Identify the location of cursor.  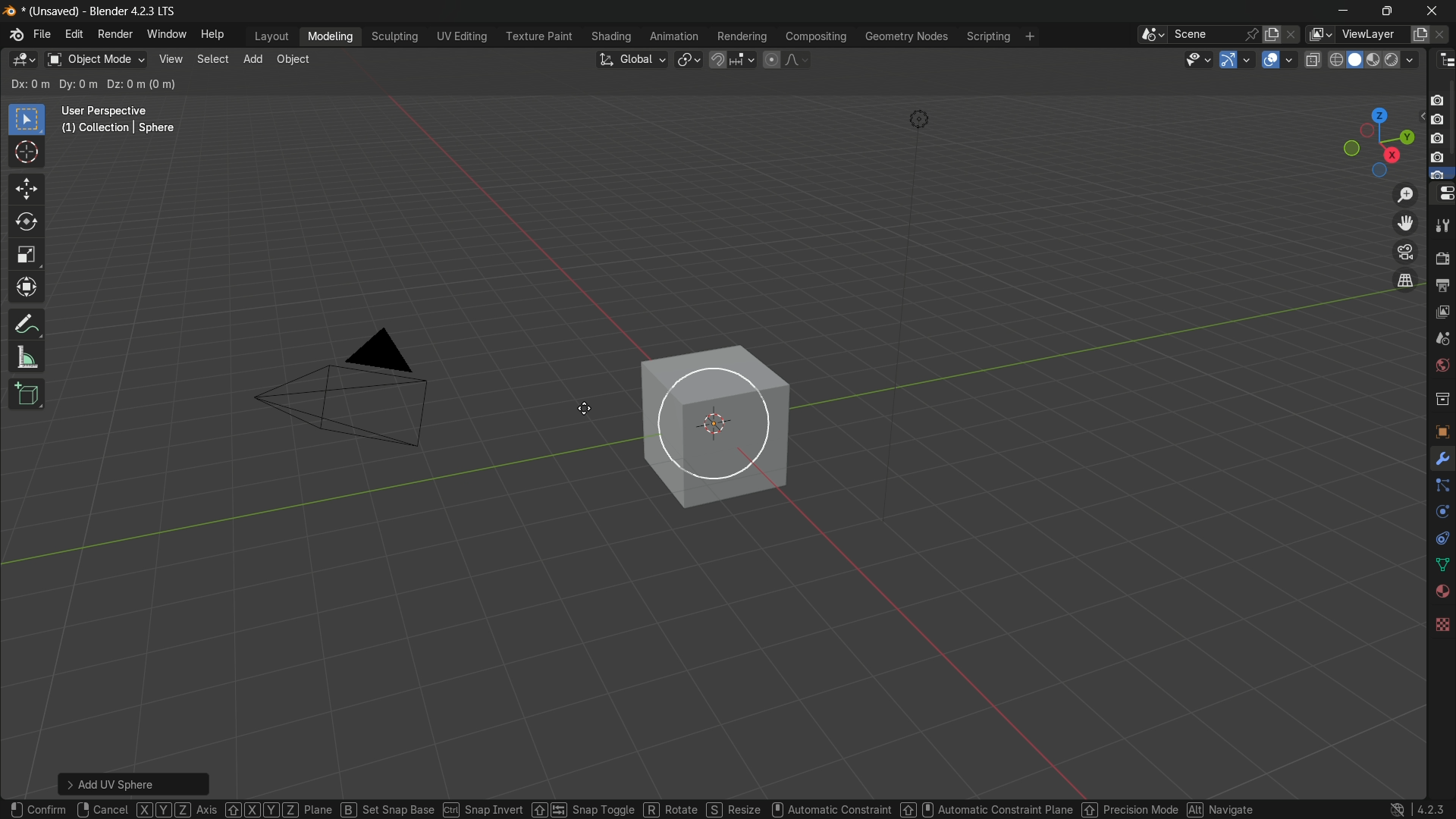
(584, 406).